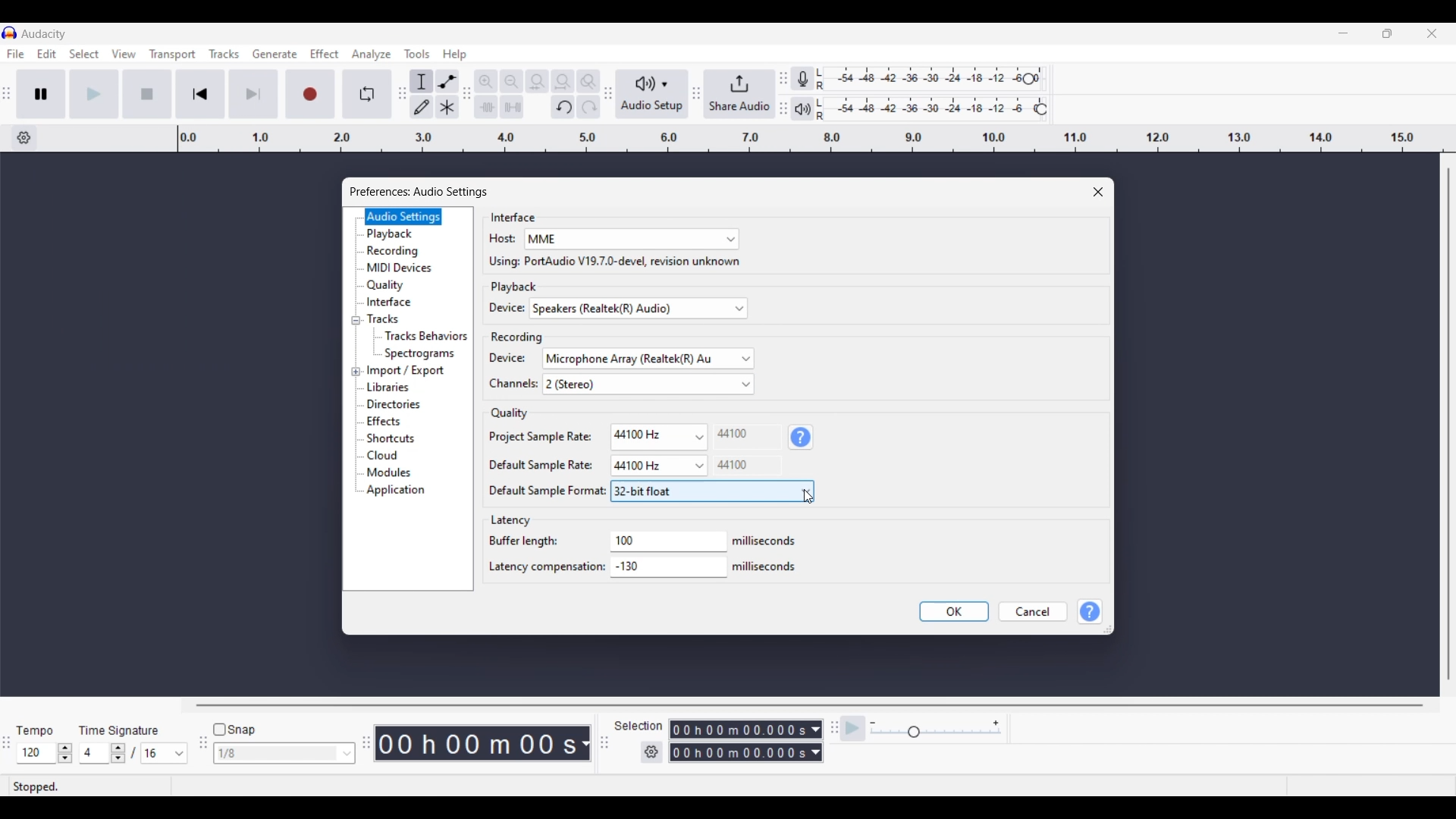 The height and width of the screenshot is (819, 1456). Describe the element at coordinates (1343, 33) in the screenshot. I see `Minimize` at that location.